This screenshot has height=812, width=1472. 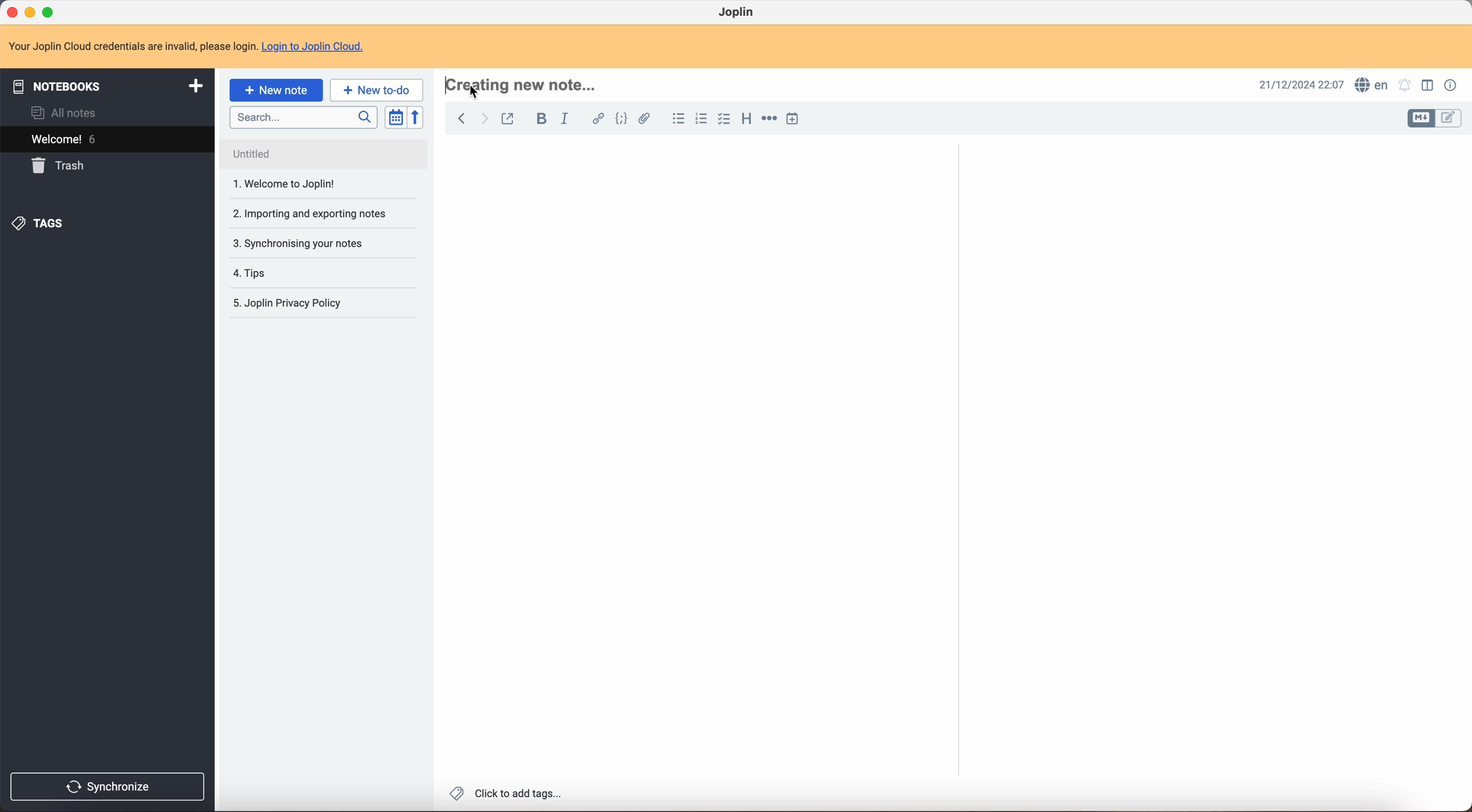 I want to click on scroll bar, so click(x=1463, y=360).